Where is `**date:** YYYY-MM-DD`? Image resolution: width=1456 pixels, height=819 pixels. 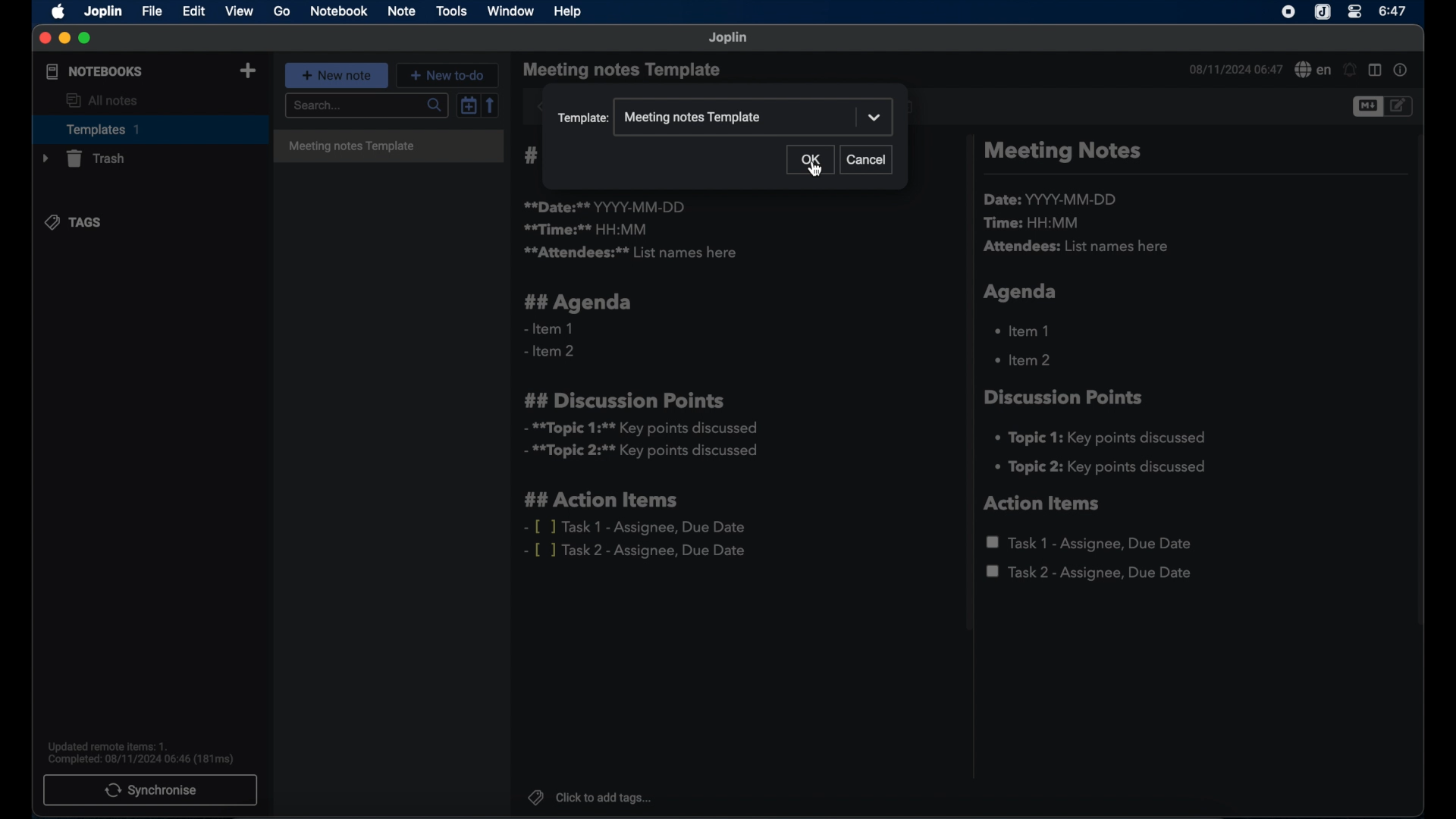 **date:** YYYY-MM-DD is located at coordinates (607, 206).